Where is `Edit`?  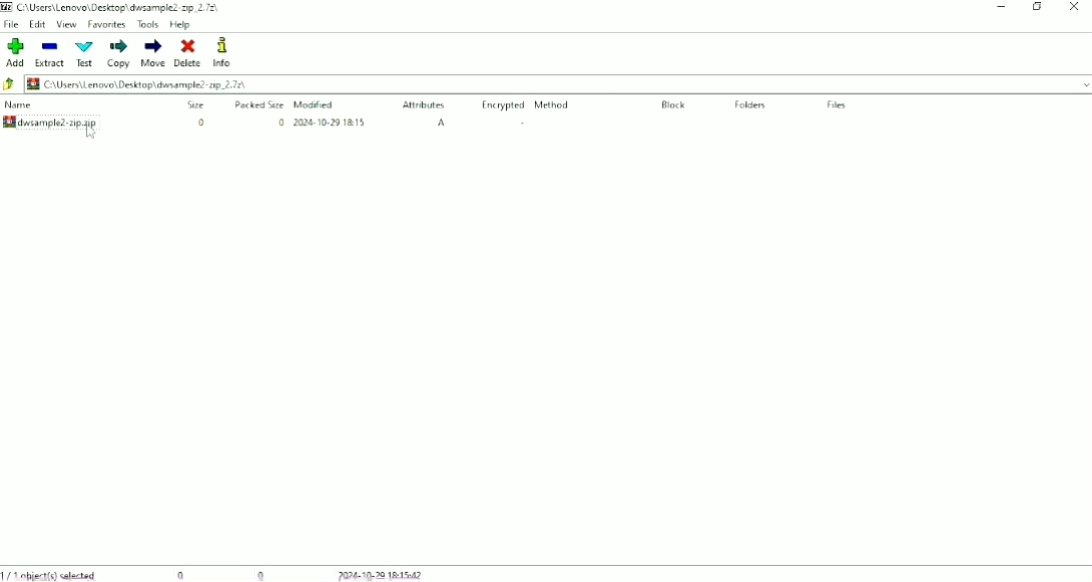
Edit is located at coordinates (37, 24).